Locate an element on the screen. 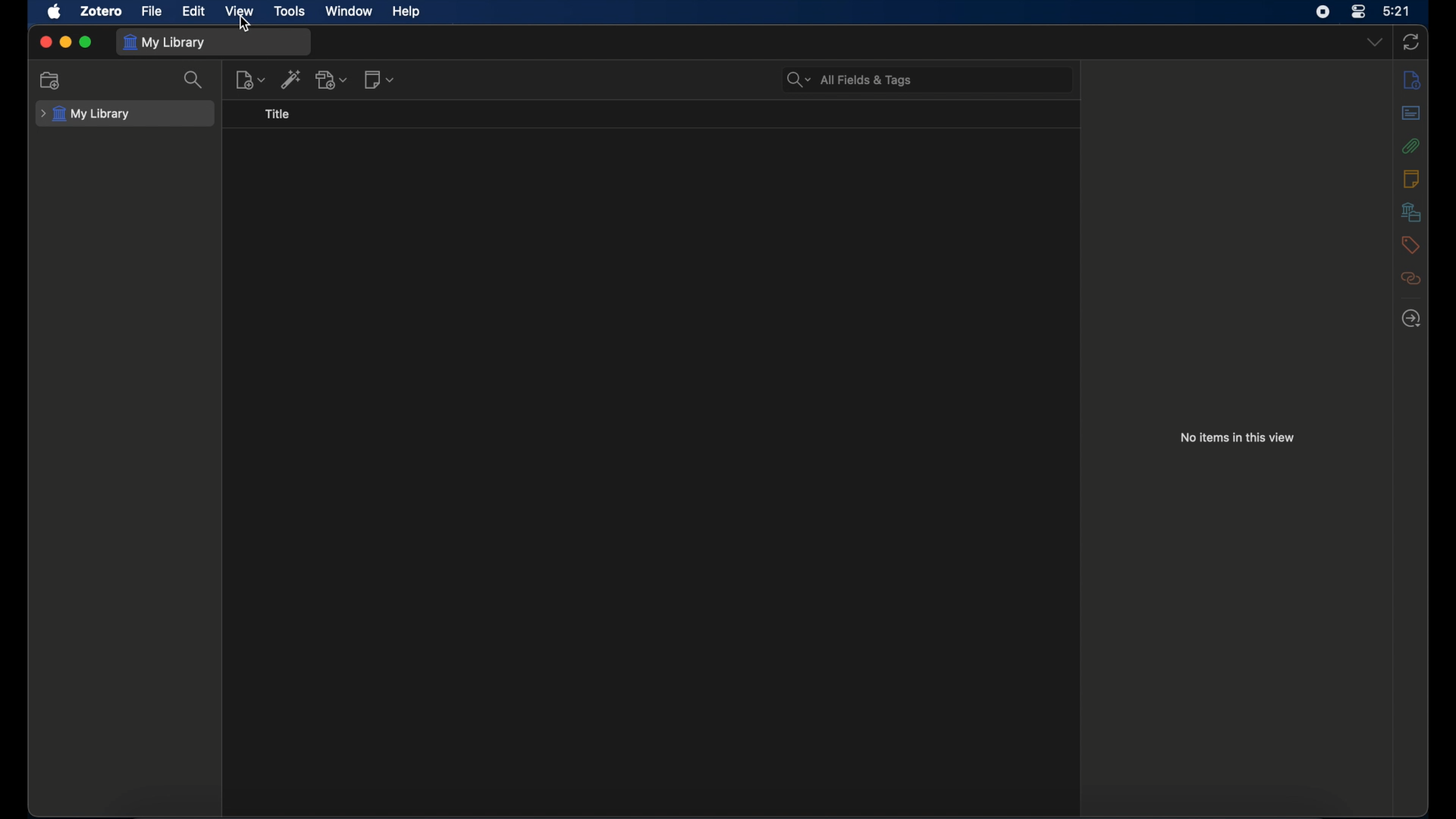 The height and width of the screenshot is (819, 1456). dropdown is located at coordinates (1373, 42).